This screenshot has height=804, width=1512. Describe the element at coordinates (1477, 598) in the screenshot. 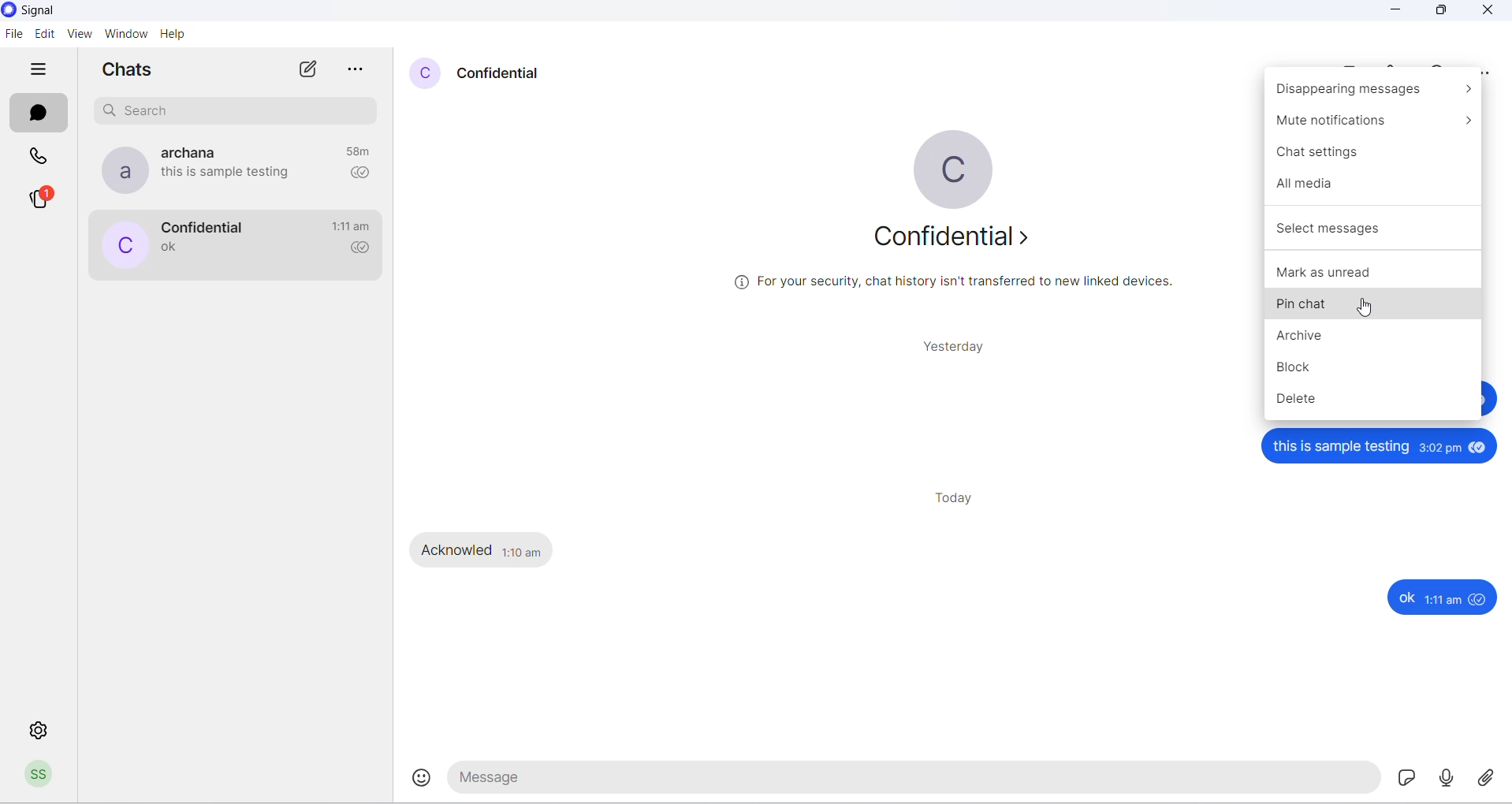

I see `seen` at that location.